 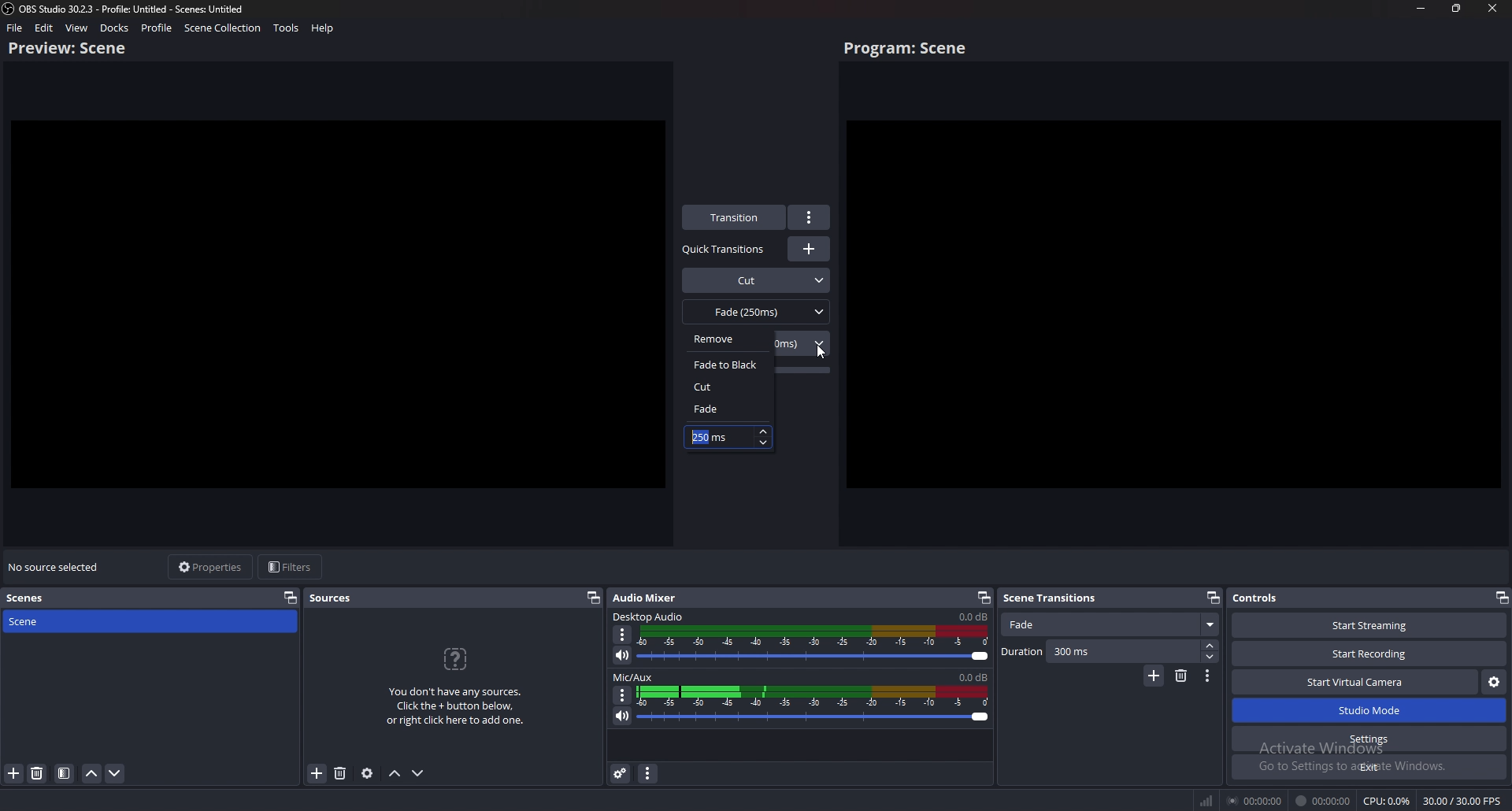 I want to click on Start virtual camera, so click(x=1355, y=682).